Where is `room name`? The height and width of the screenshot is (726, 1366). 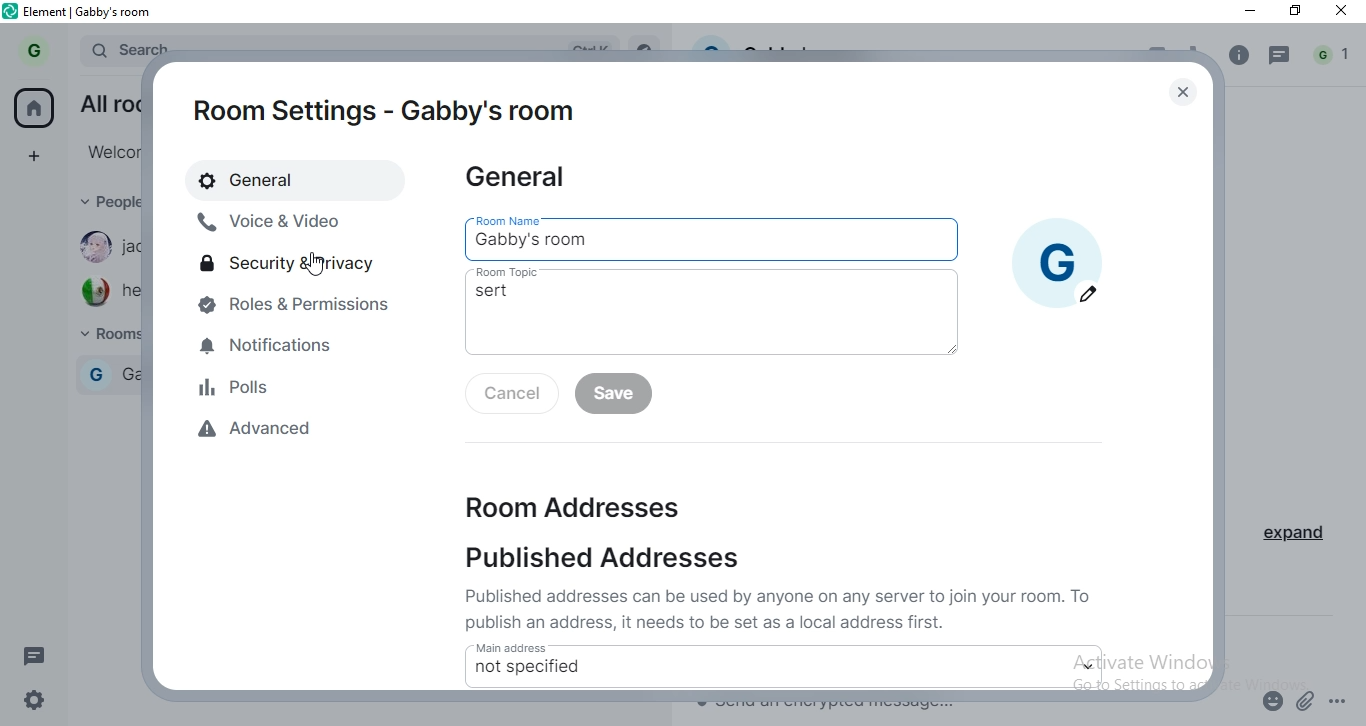 room name is located at coordinates (507, 220).